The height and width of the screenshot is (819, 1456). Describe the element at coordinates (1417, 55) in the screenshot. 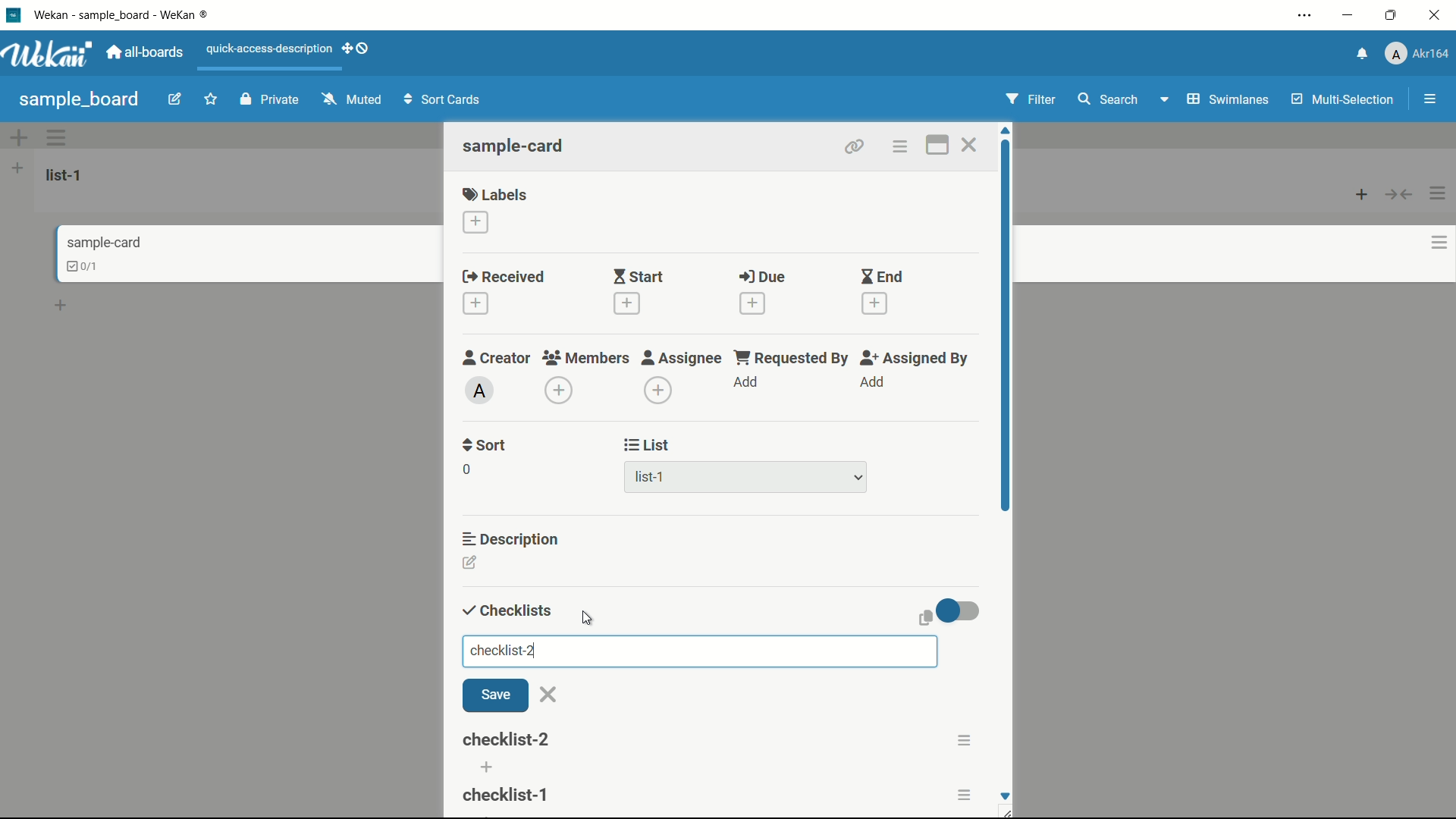

I see `profile` at that location.